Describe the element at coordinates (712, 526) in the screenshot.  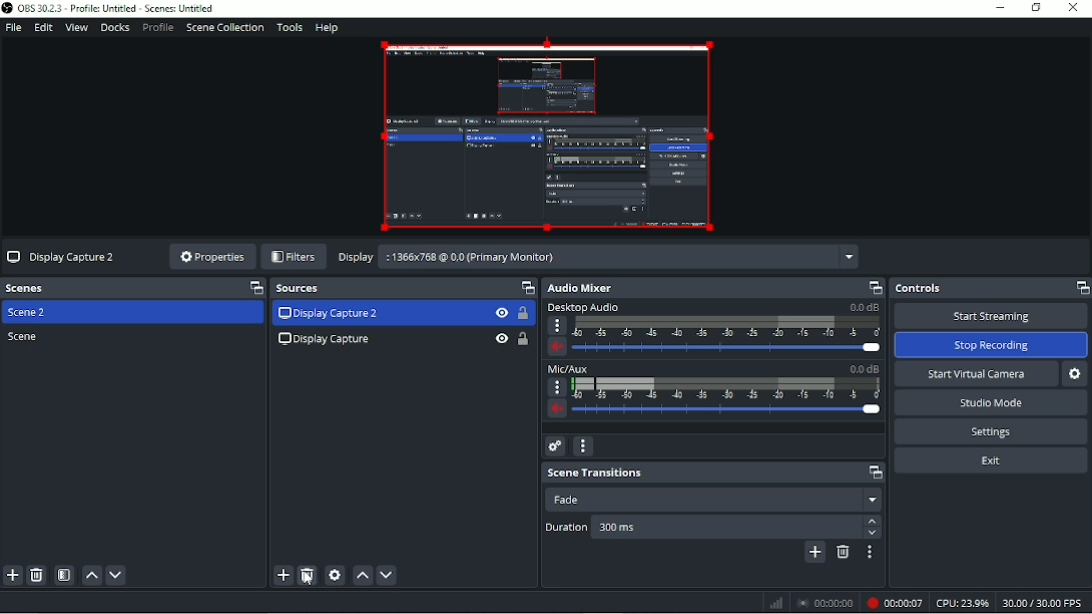
I see `Duration` at that location.